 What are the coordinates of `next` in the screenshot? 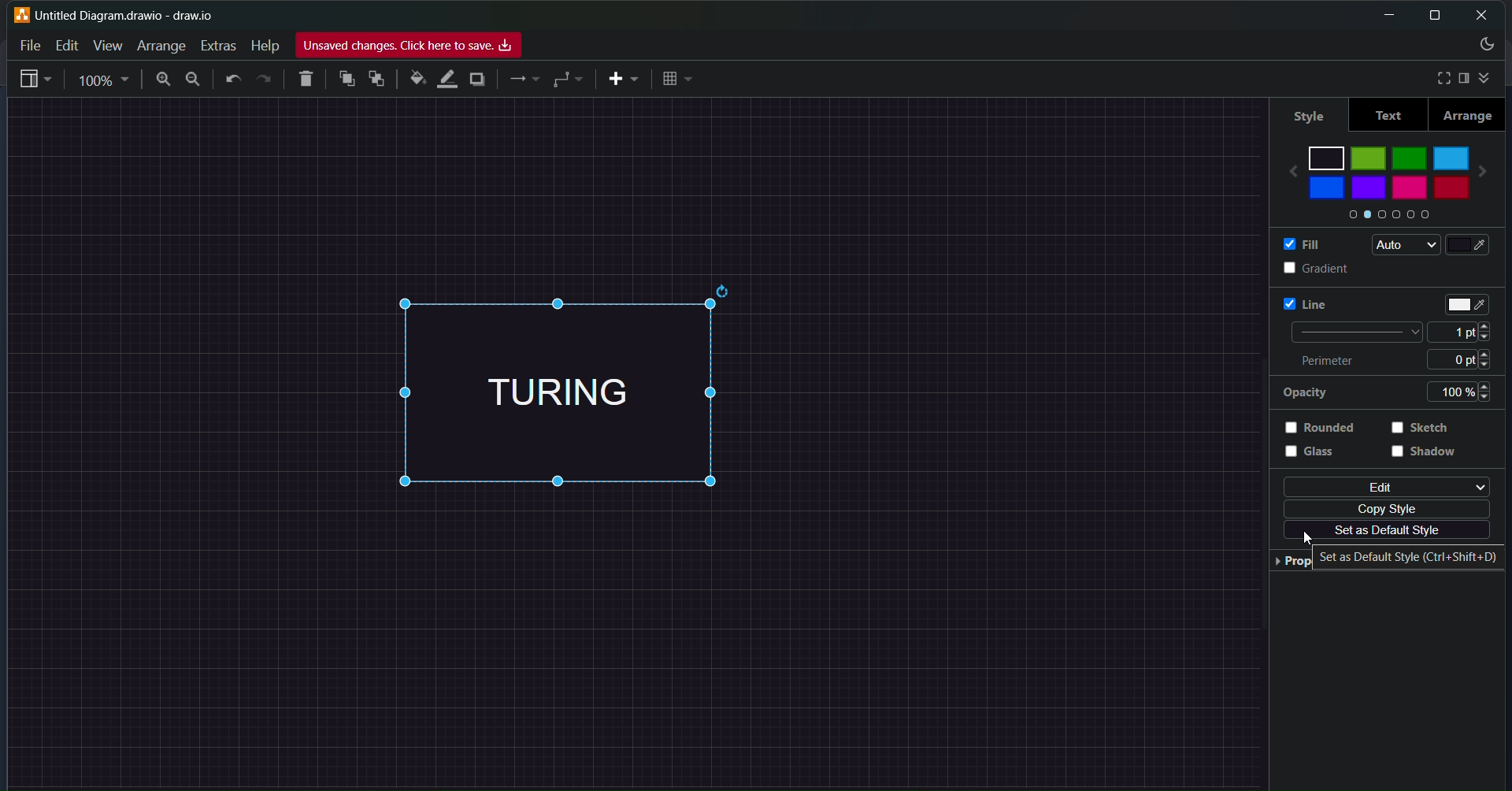 It's located at (1492, 166).